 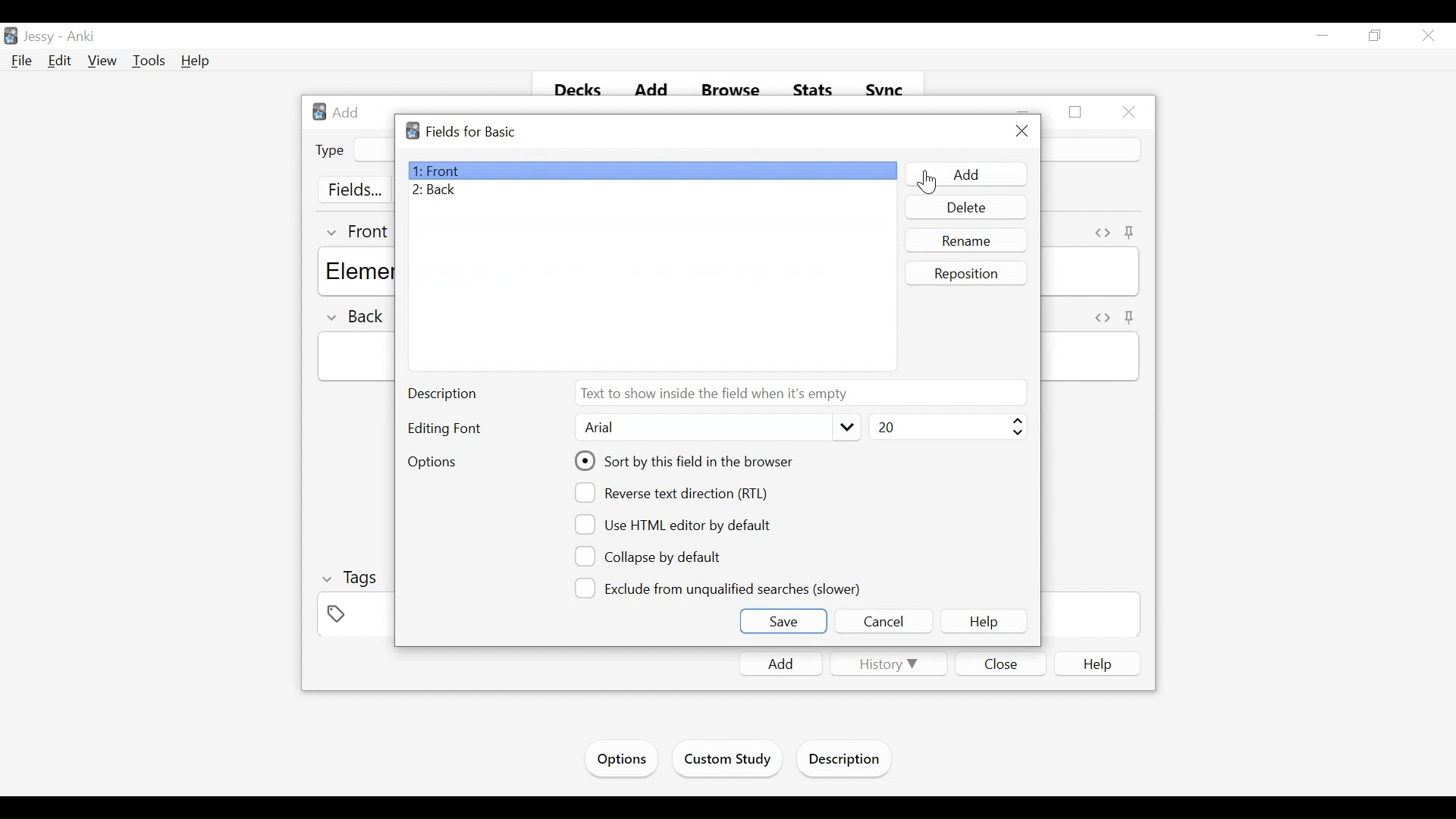 I want to click on Description, so click(x=848, y=761).